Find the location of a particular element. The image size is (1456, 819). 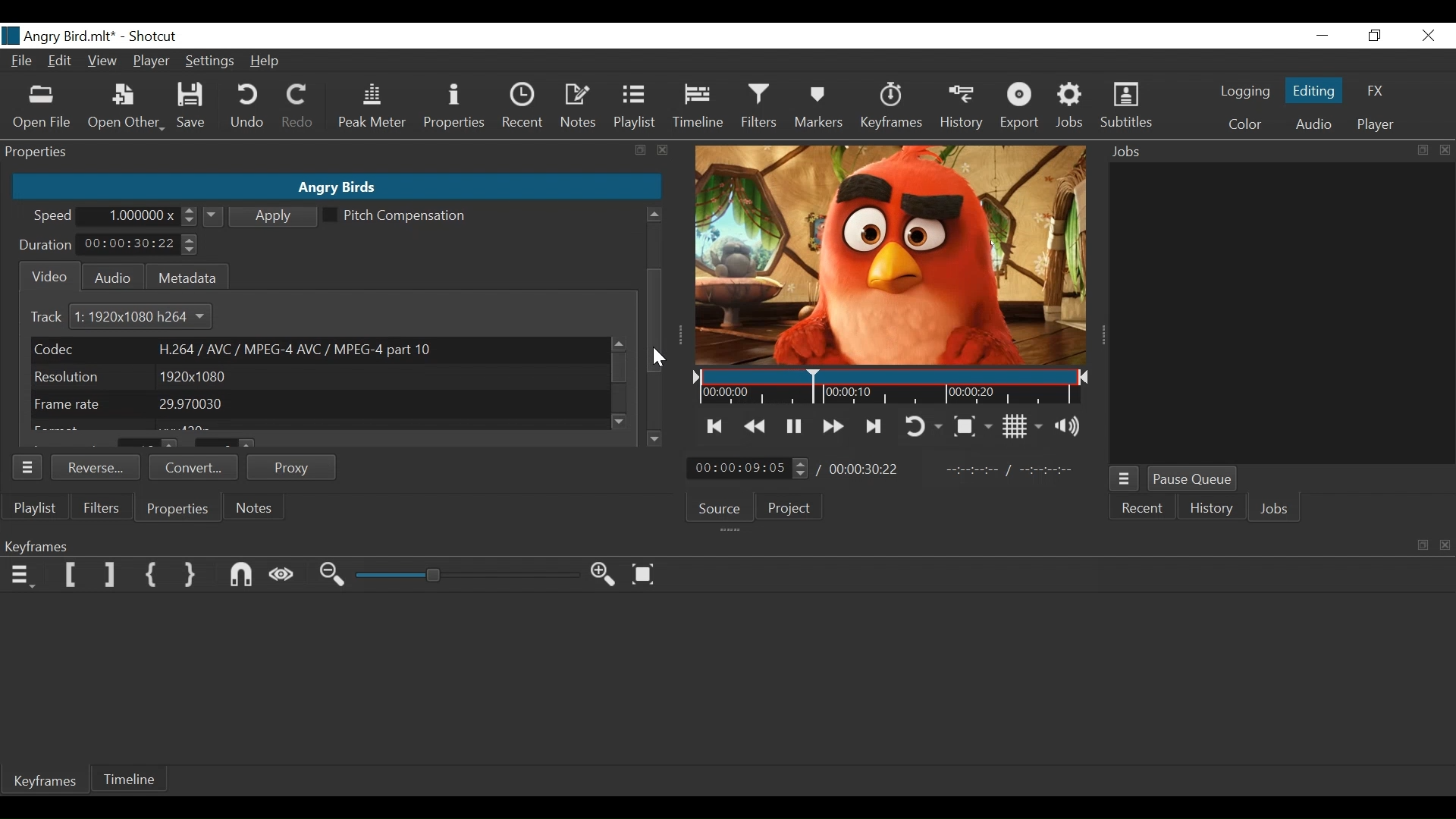

Vertical Scroll bar is located at coordinates (620, 369).